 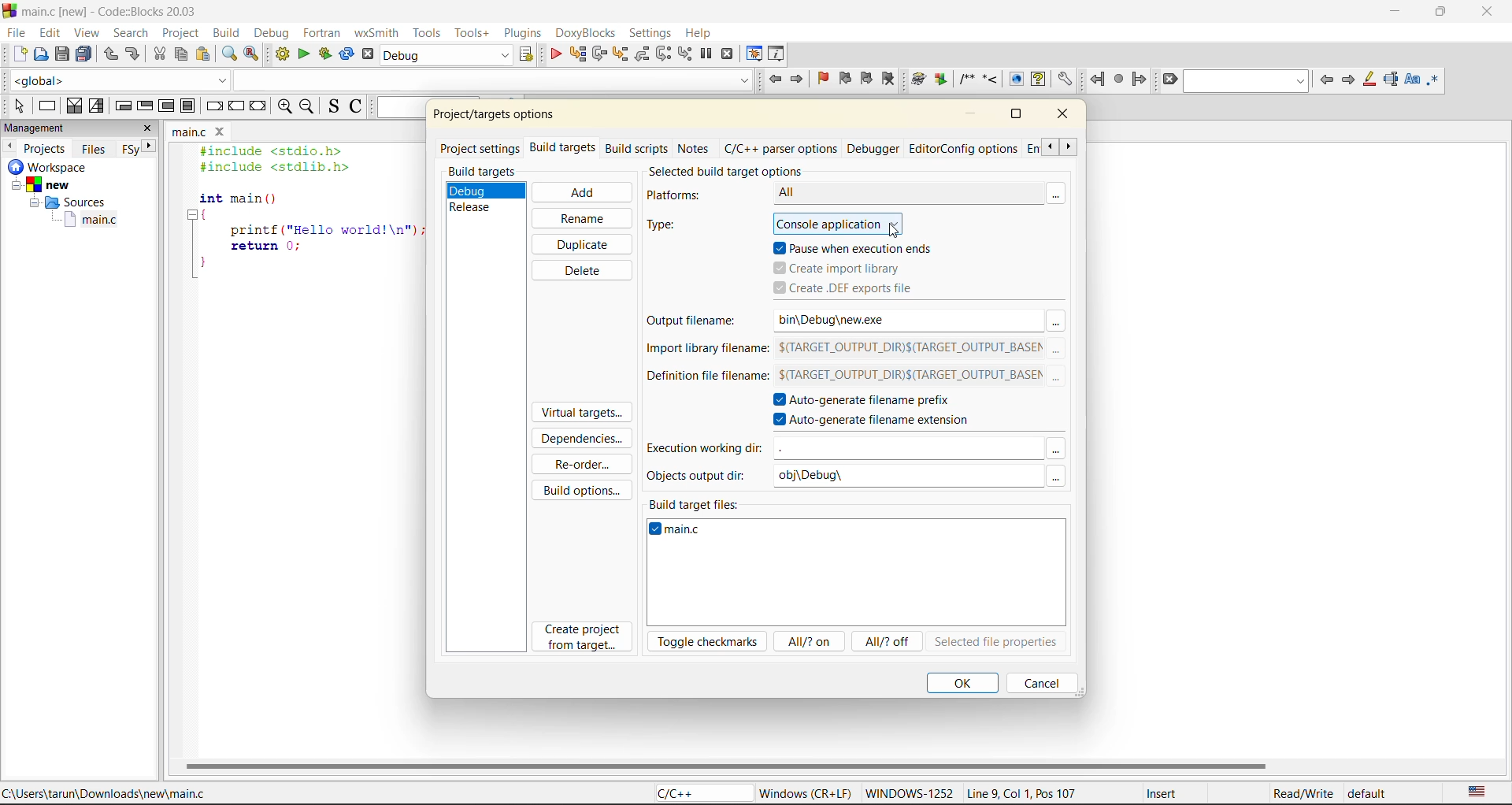 I want to click on add, so click(x=584, y=191).